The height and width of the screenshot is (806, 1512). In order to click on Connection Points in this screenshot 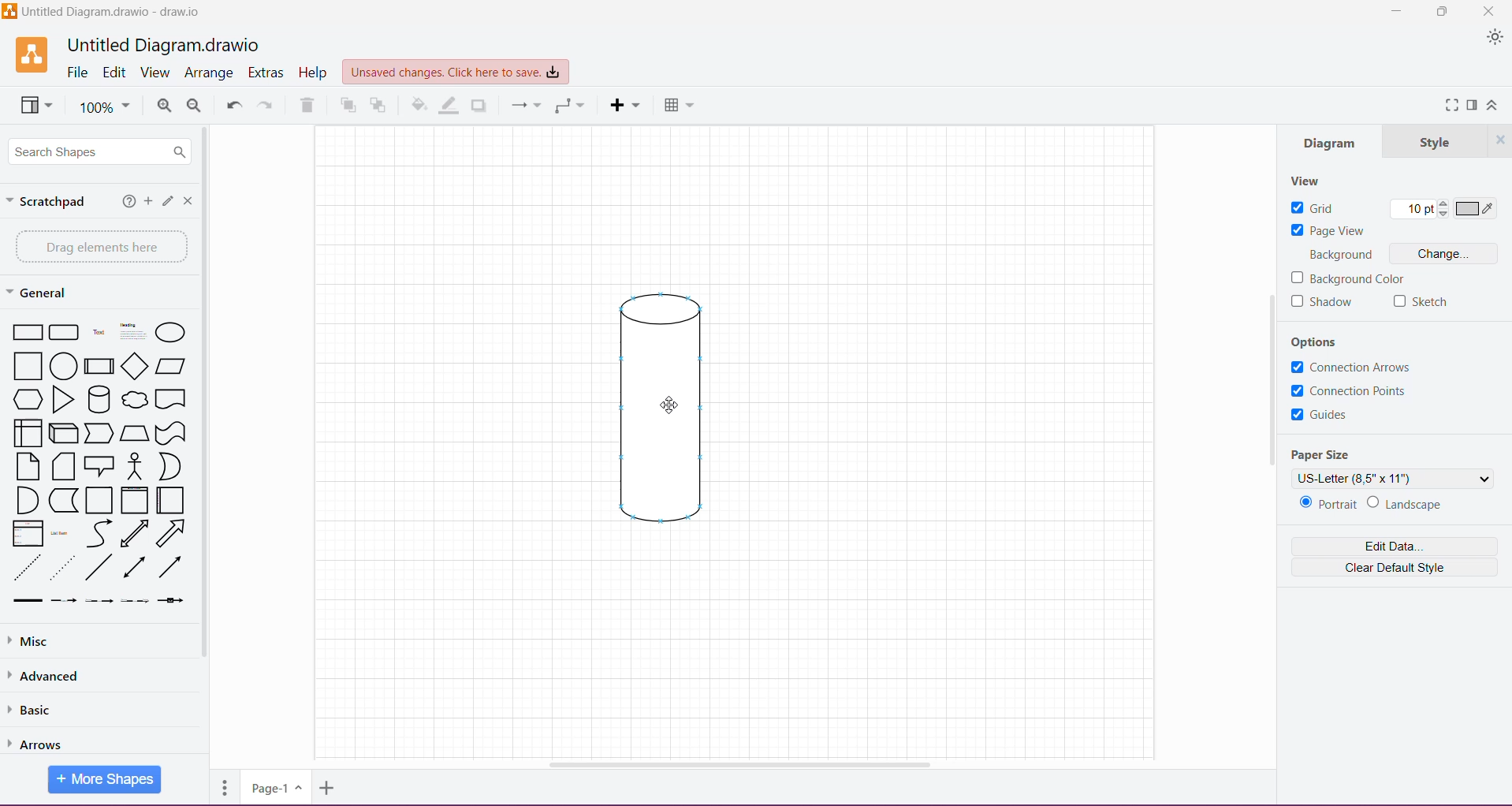, I will do `click(1354, 392)`.